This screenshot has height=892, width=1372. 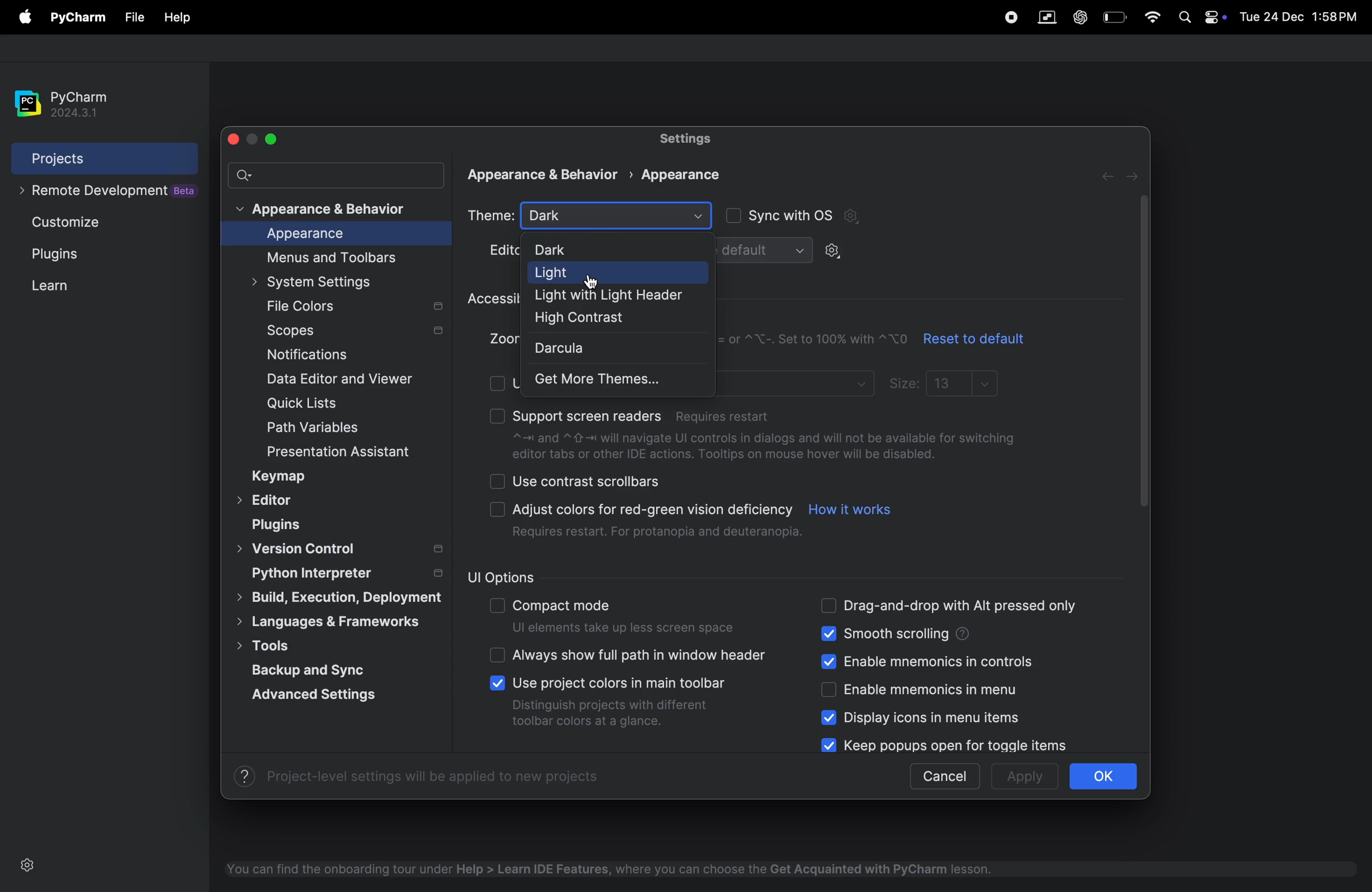 I want to click on check boxes, so click(x=497, y=603).